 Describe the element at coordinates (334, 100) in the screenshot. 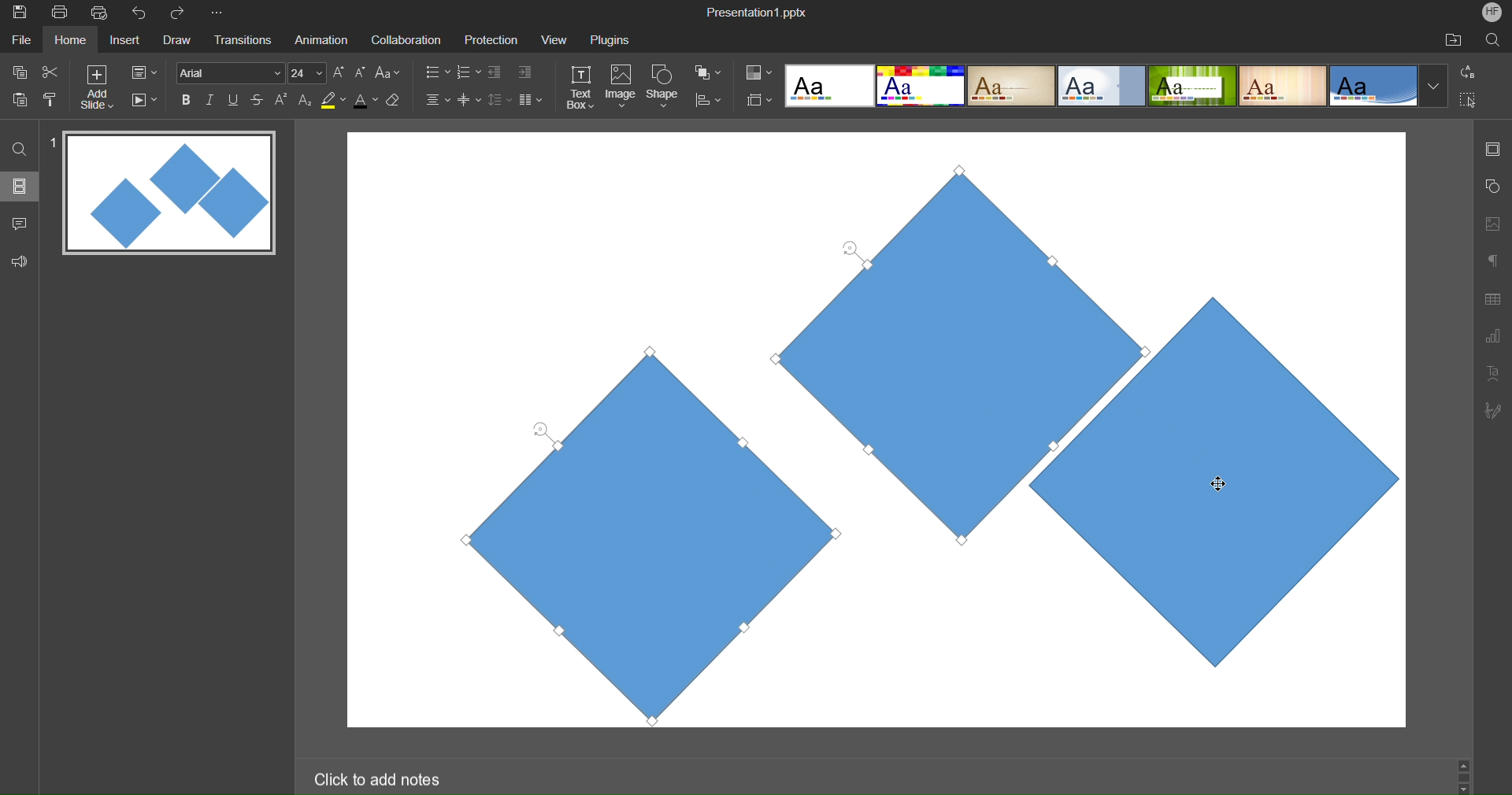

I see `Highlight` at that location.